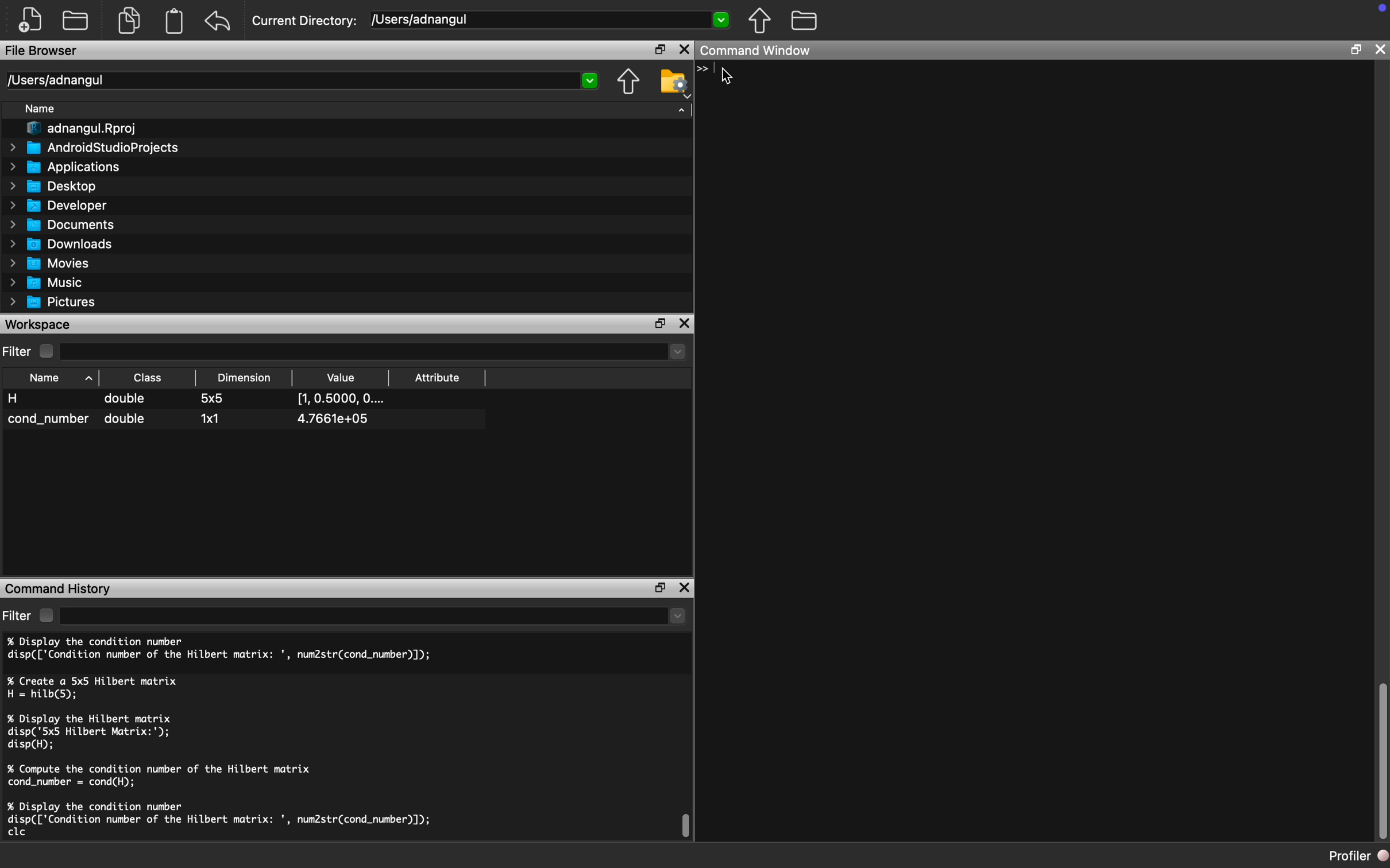 The width and height of the screenshot is (1390, 868). Describe the element at coordinates (59, 588) in the screenshot. I see `Command History` at that location.